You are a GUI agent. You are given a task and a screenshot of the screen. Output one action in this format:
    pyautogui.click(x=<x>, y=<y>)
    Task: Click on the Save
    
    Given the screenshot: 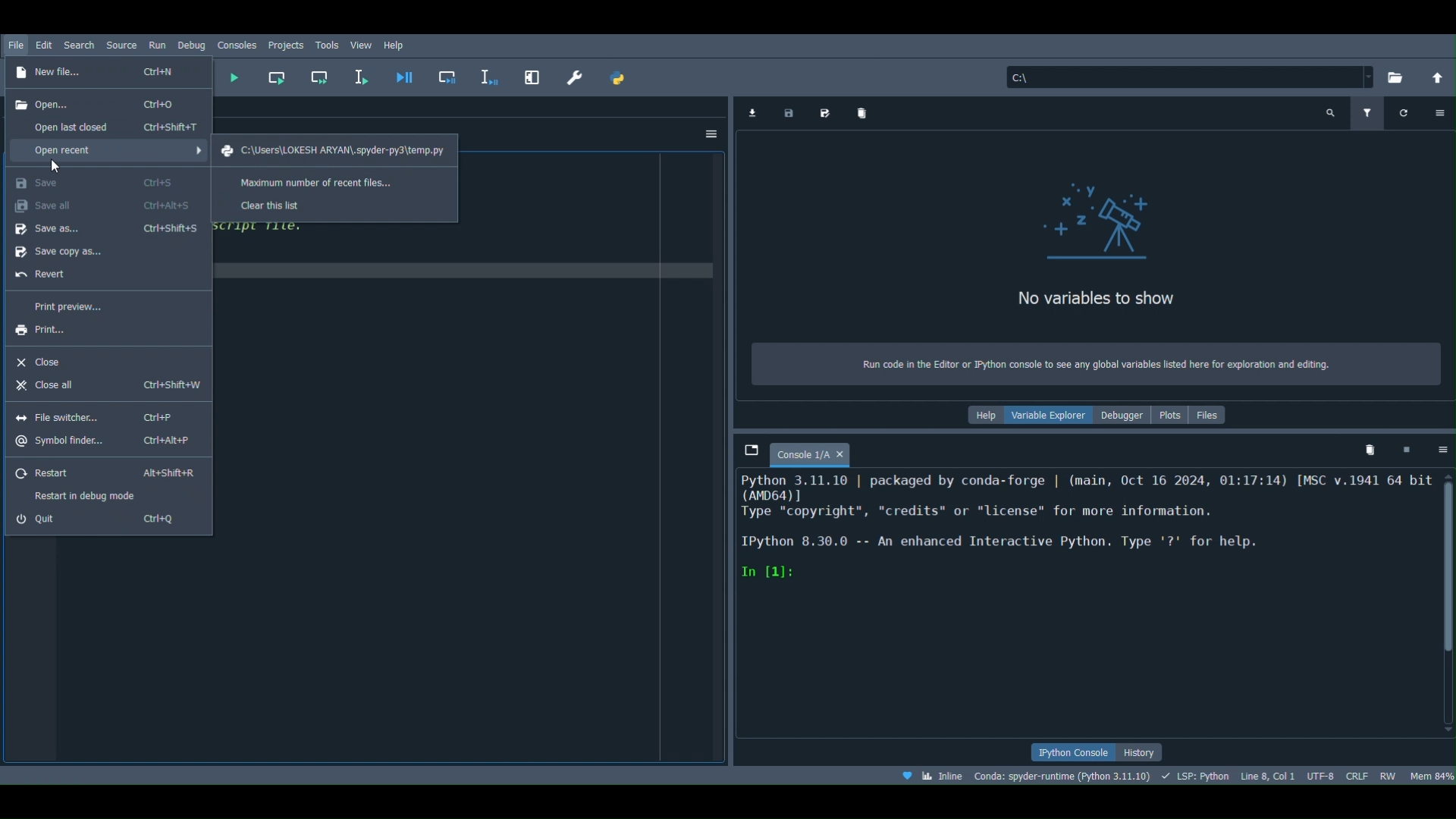 What is the action you would take?
    pyautogui.click(x=105, y=180)
    